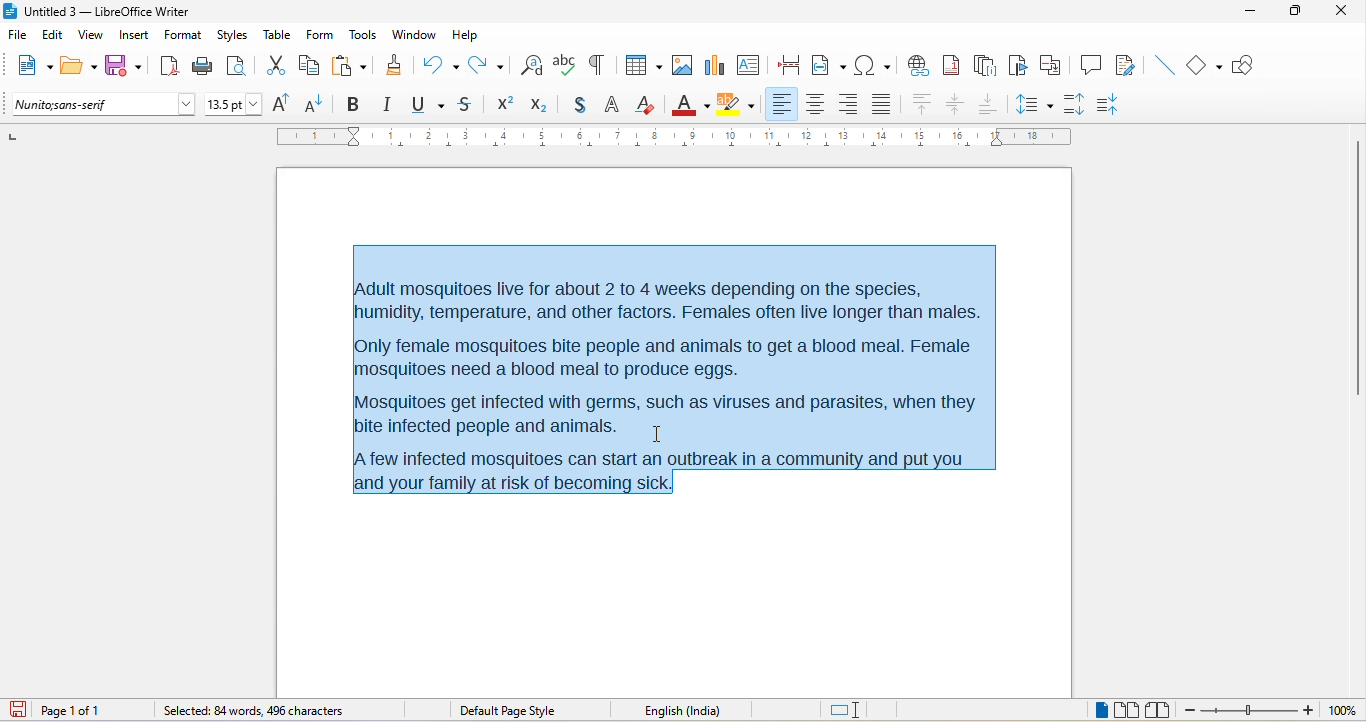 This screenshot has width=1366, height=722. Describe the element at coordinates (349, 66) in the screenshot. I see `paste` at that location.